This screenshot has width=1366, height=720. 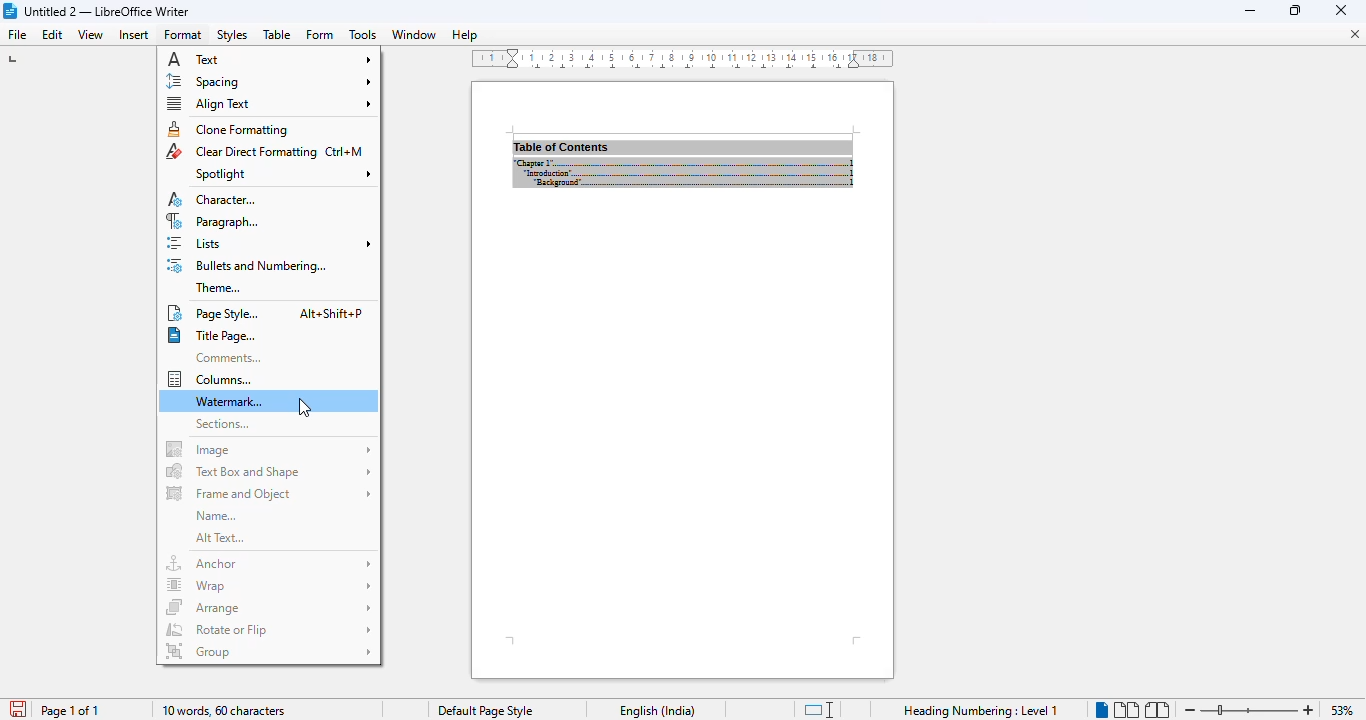 I want to click on text box and shape, so click(x=269, y=472).